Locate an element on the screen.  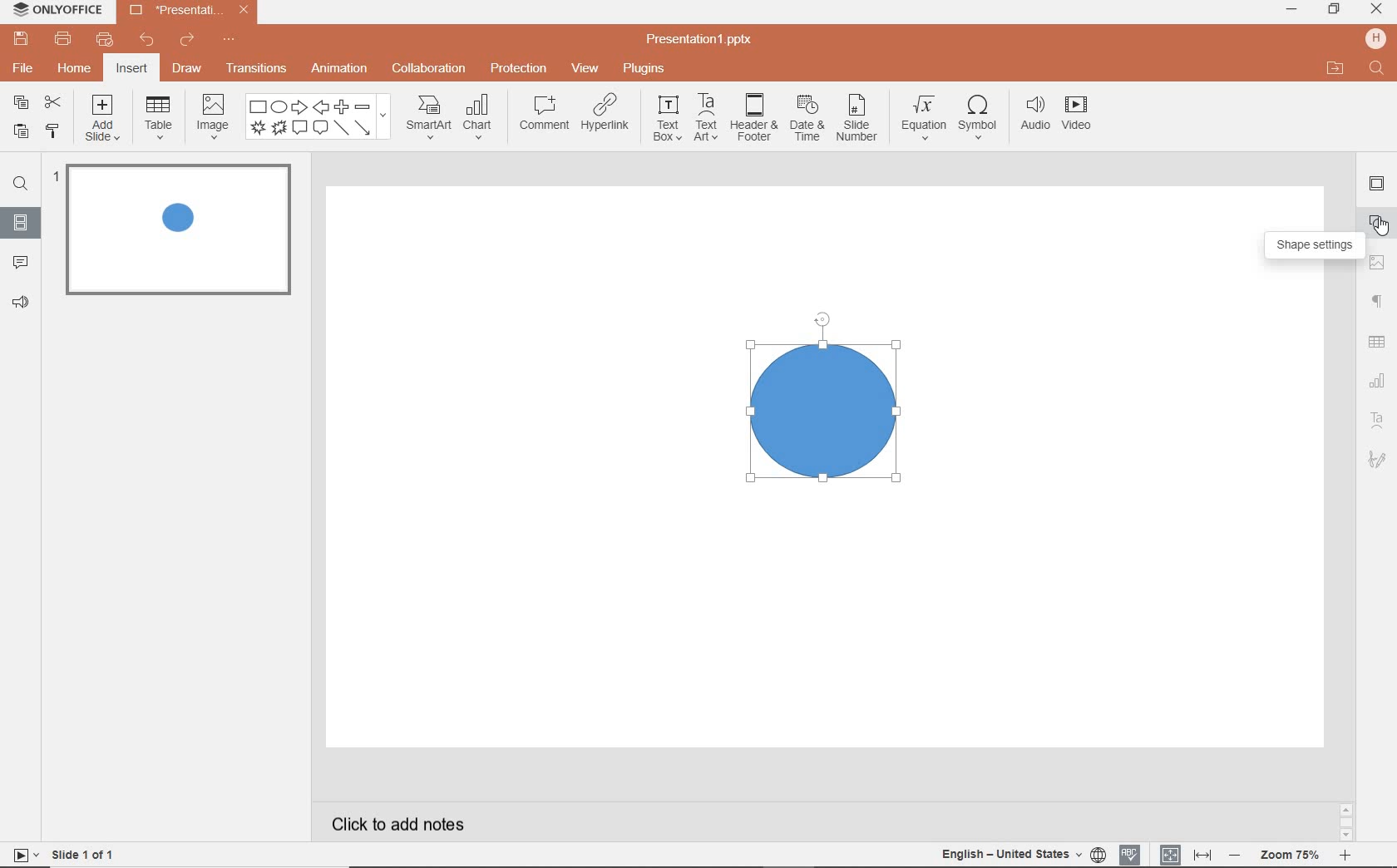
chart is located at coordinates (1376, 382).